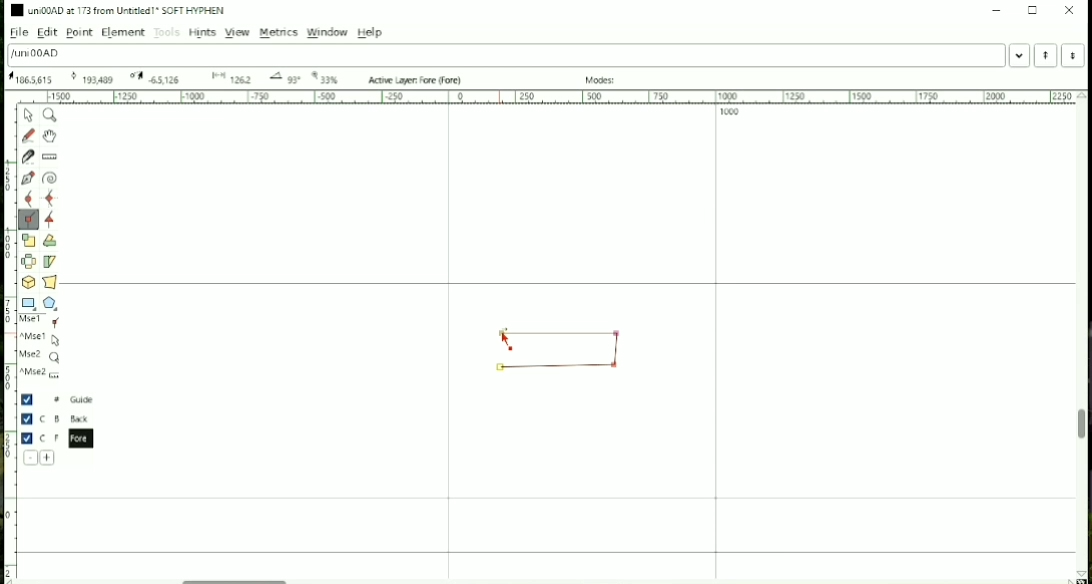  What do you see at coordinates (49, 262) in the screenshot?
I see `Skew the selection` at bounding box center [49, 262].